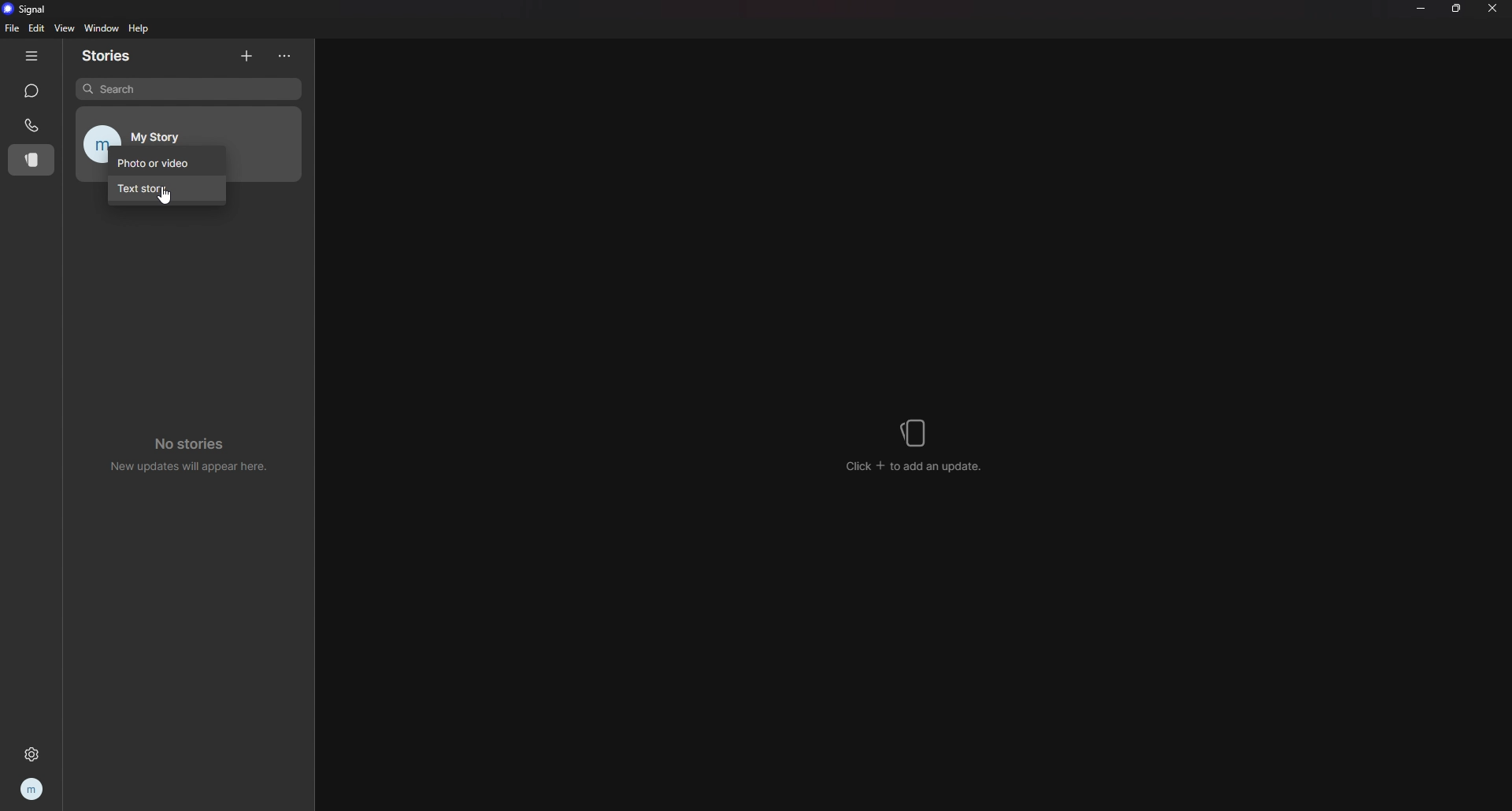 The width and height of the screenshot is (1512, 811). Describe the element at coordinates (31, 124) in the screenshot. I see `calls` at that location.